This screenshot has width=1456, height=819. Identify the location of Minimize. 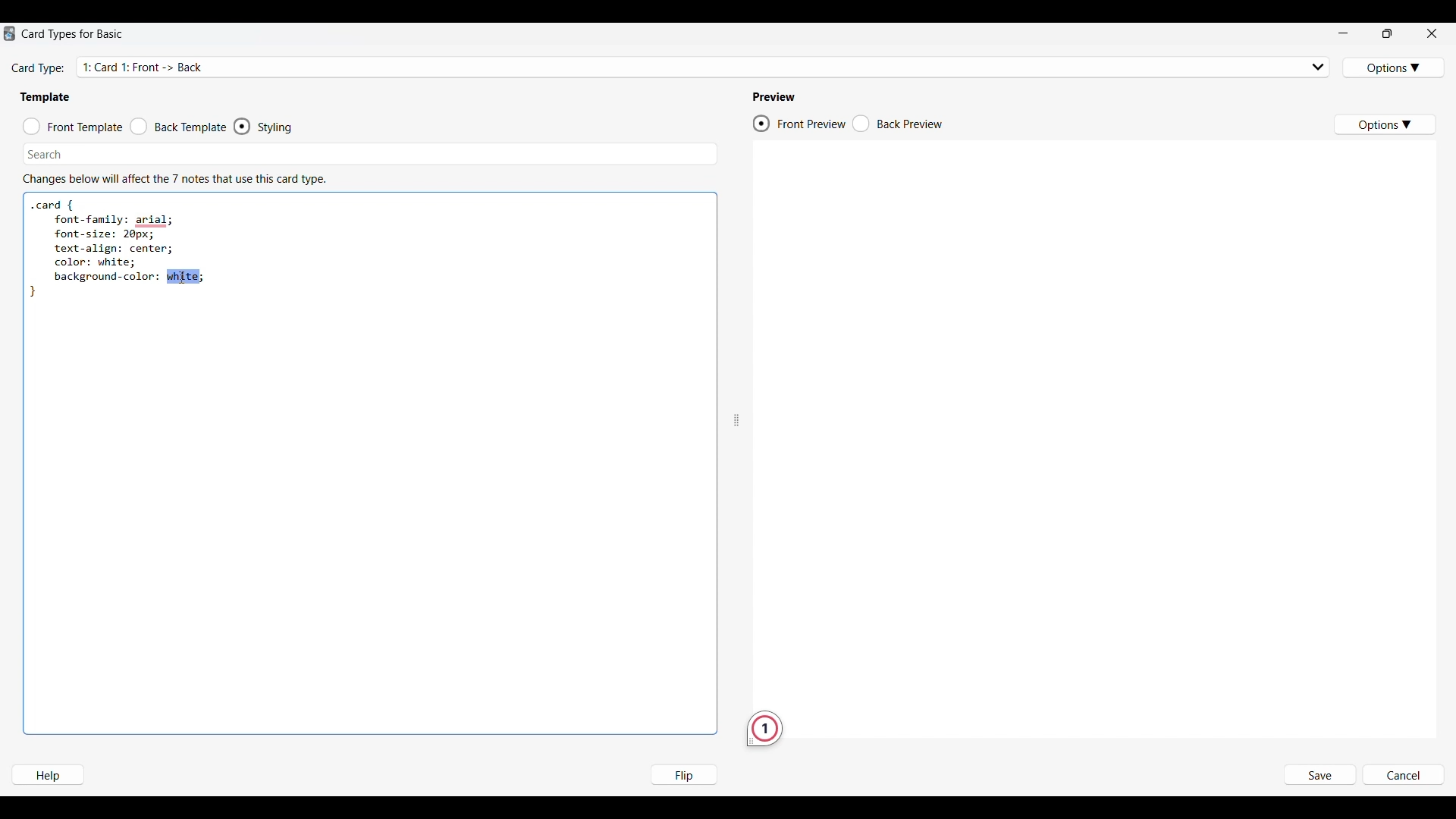
(1343, 33).